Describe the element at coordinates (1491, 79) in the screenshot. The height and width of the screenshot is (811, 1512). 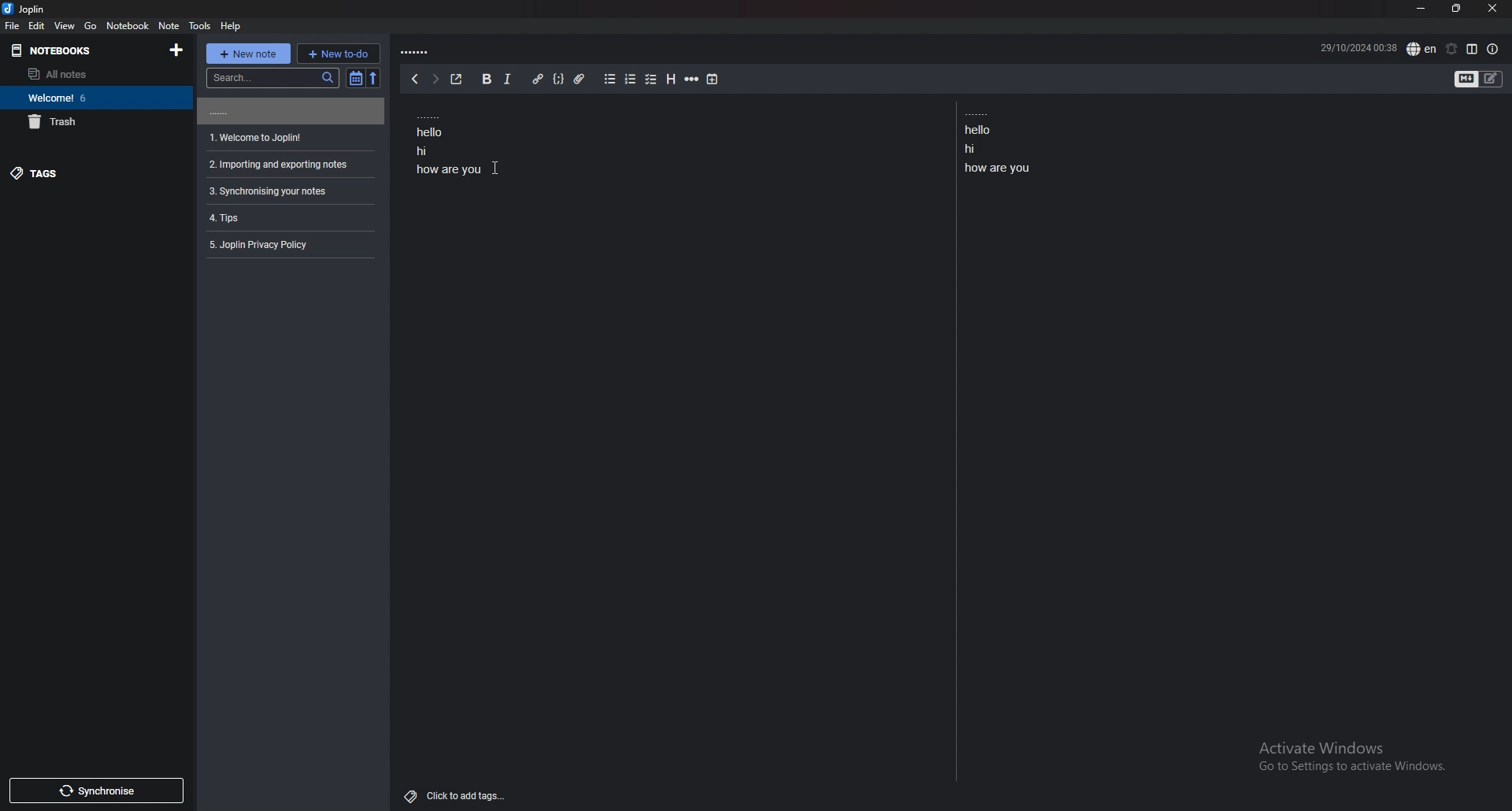
I see `toggle editors` at that location.